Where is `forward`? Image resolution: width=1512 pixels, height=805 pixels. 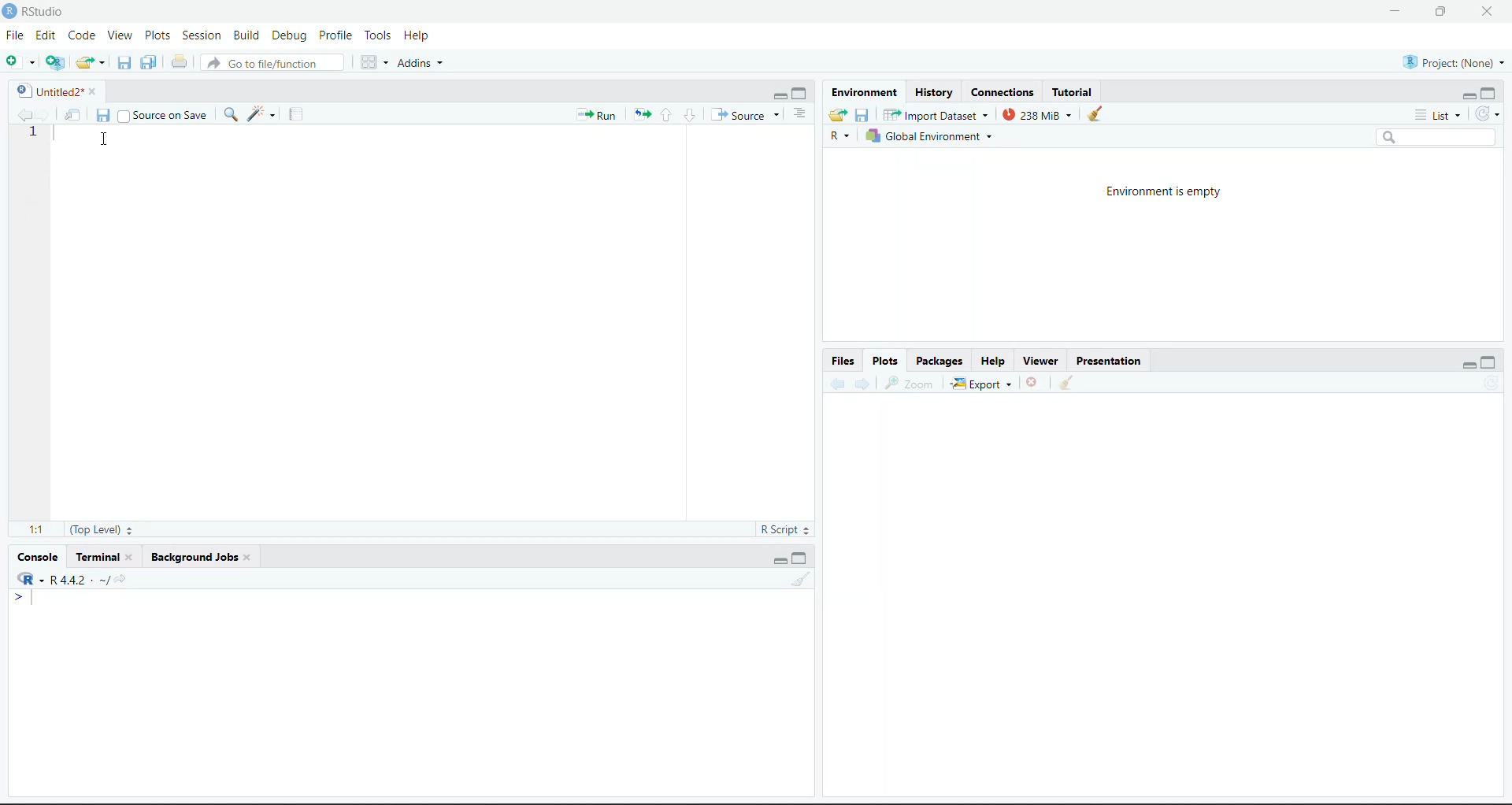 forward is located at coordinates (863, 384).